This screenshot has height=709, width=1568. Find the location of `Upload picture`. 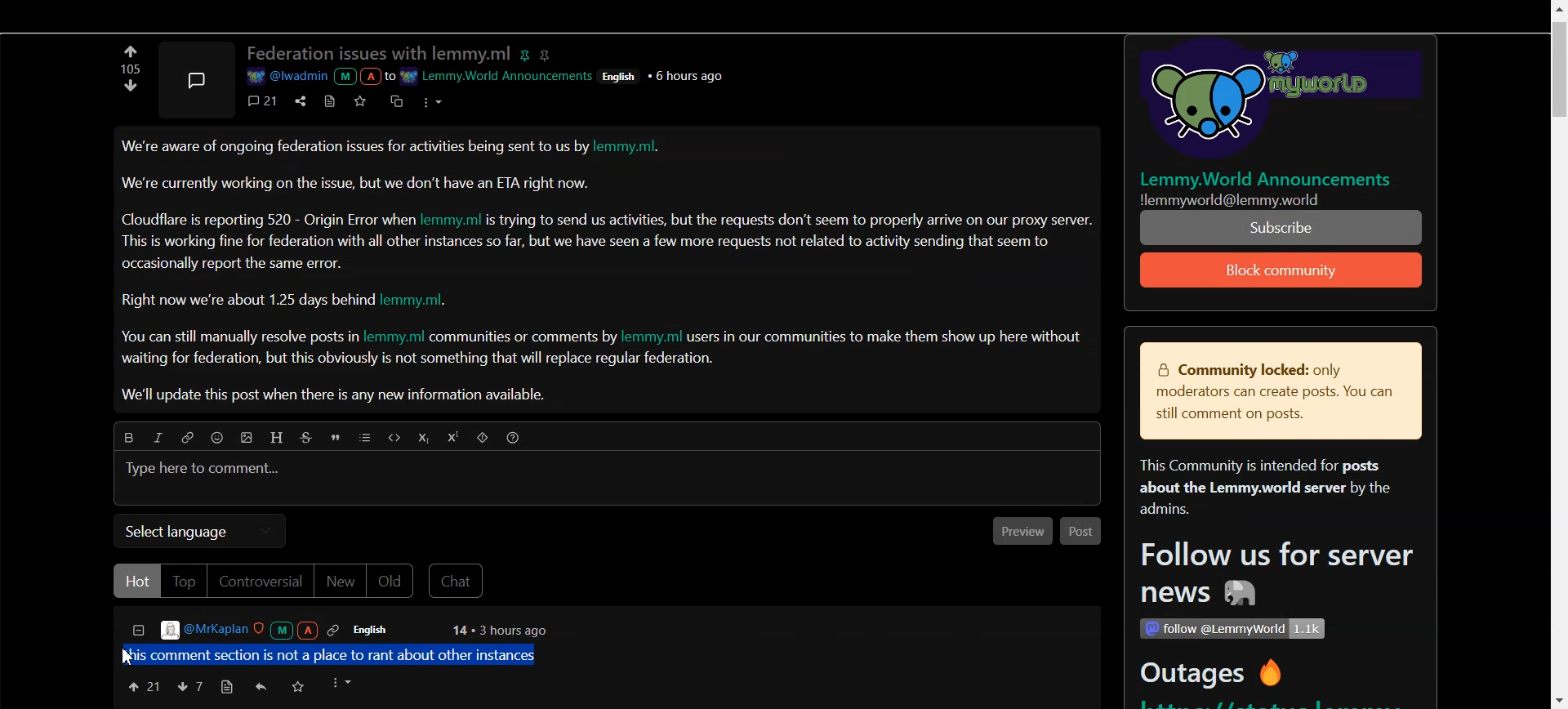

Upload picture is located at coordinates (250, 439).